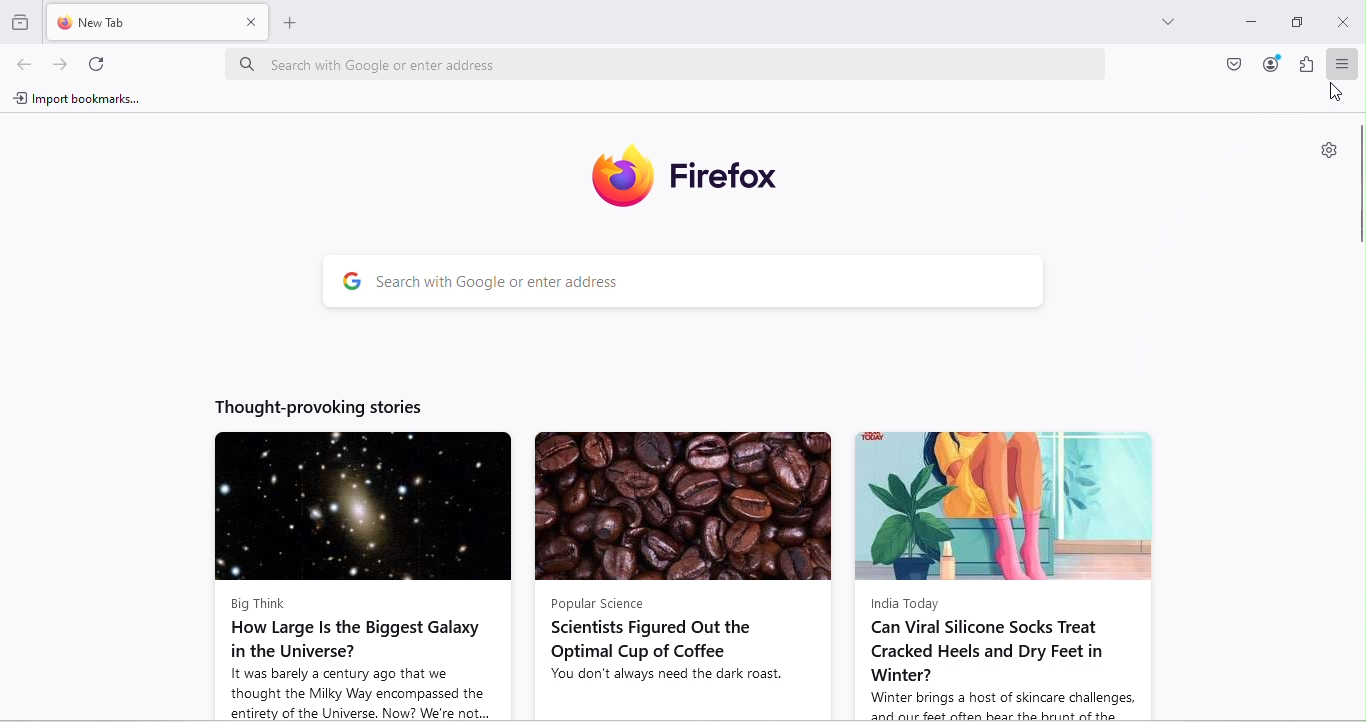 The image size is (1366, 722). Describe the element at coordinates (1358, 410) in the screenshot. I see `Scroll bar` at that location.